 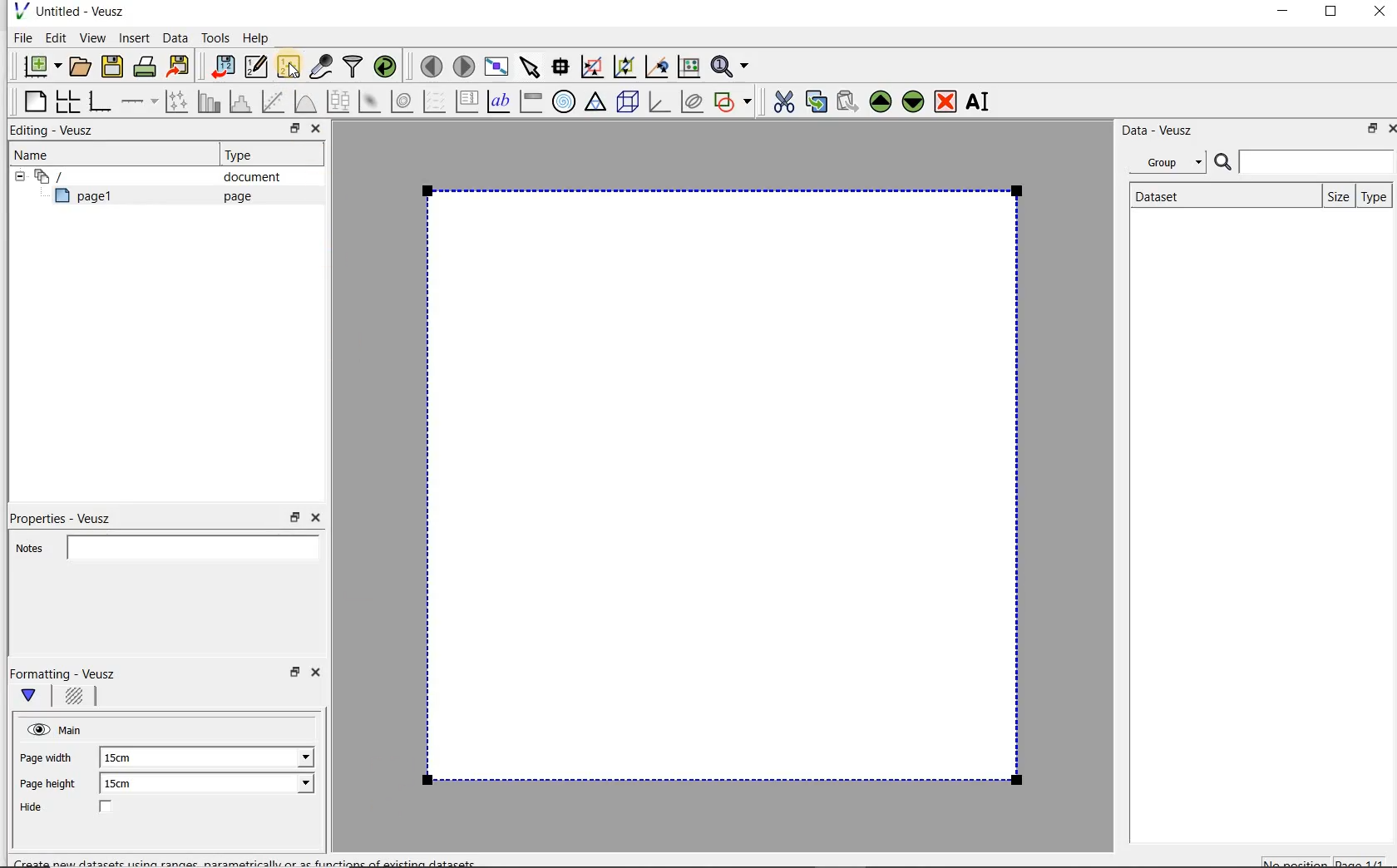 I want to click on Tools, so click(x=214, y=38).